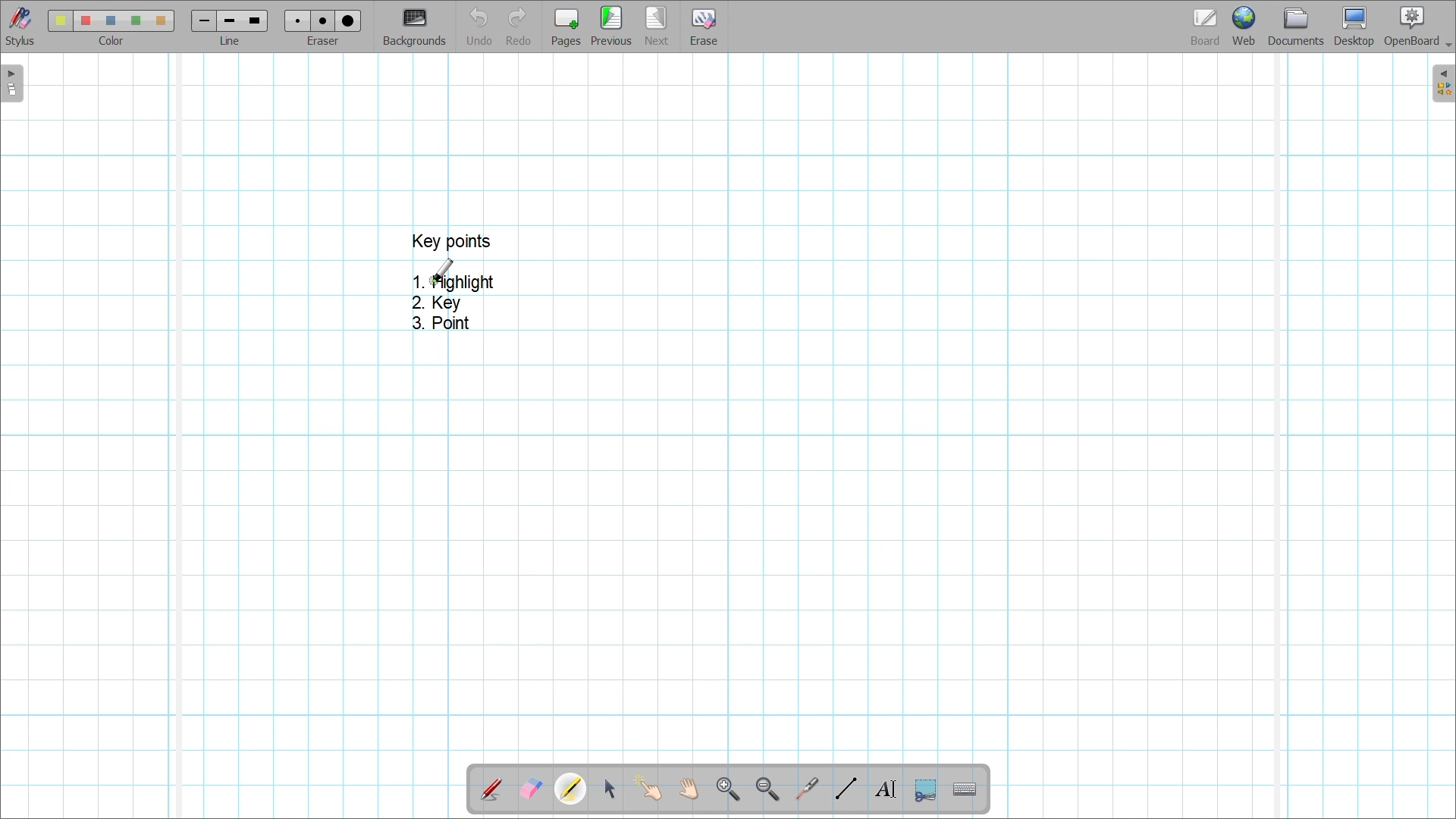 Image resolution: width=1456 pixels, height=819 pixels. What do you see at coordinates (457, 282) in the screenshot?
I see `1. Highlight` at bounding box center [457, 282].